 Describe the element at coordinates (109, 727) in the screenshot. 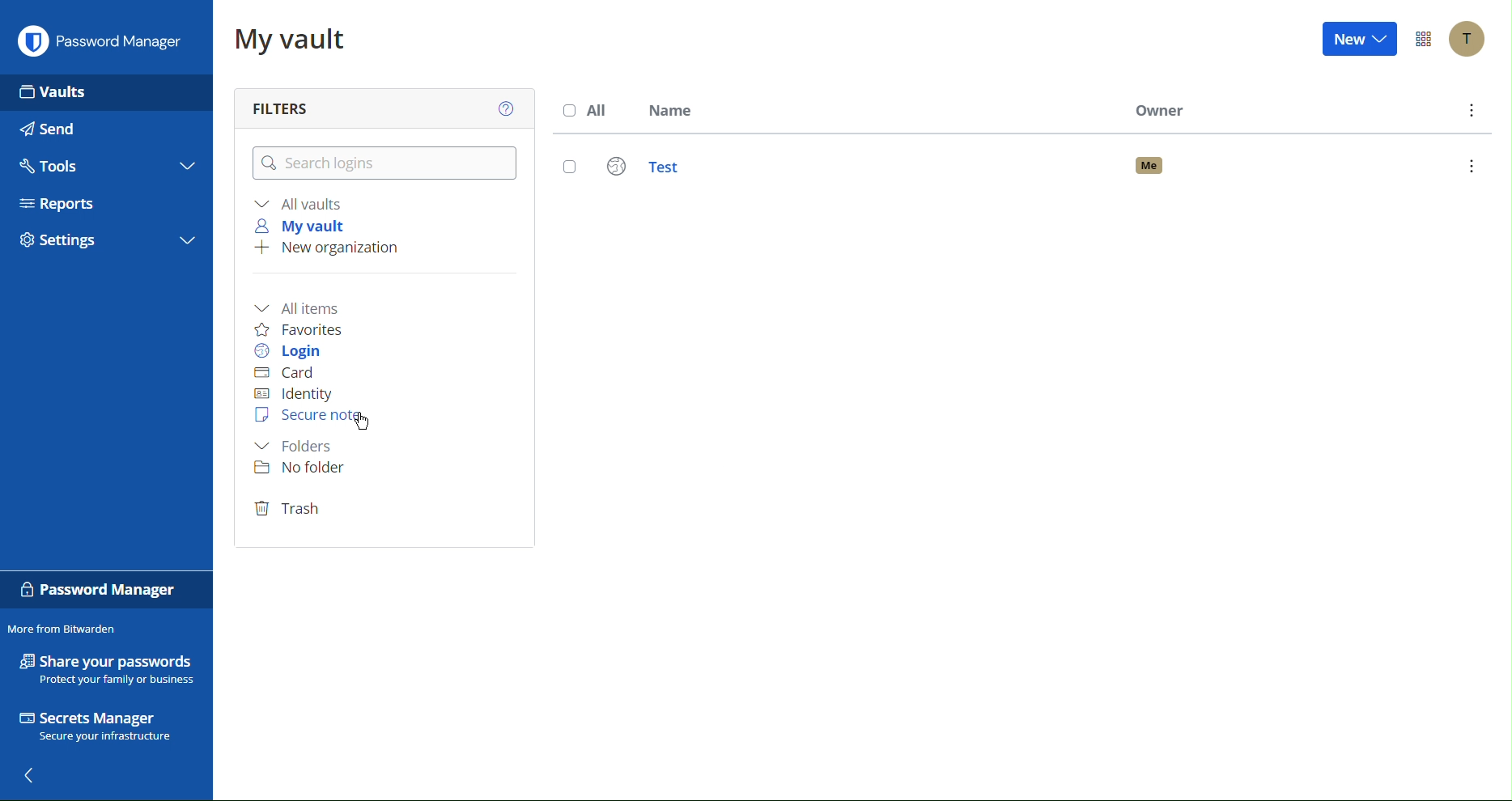

I see `Secrets Manager` at that location.